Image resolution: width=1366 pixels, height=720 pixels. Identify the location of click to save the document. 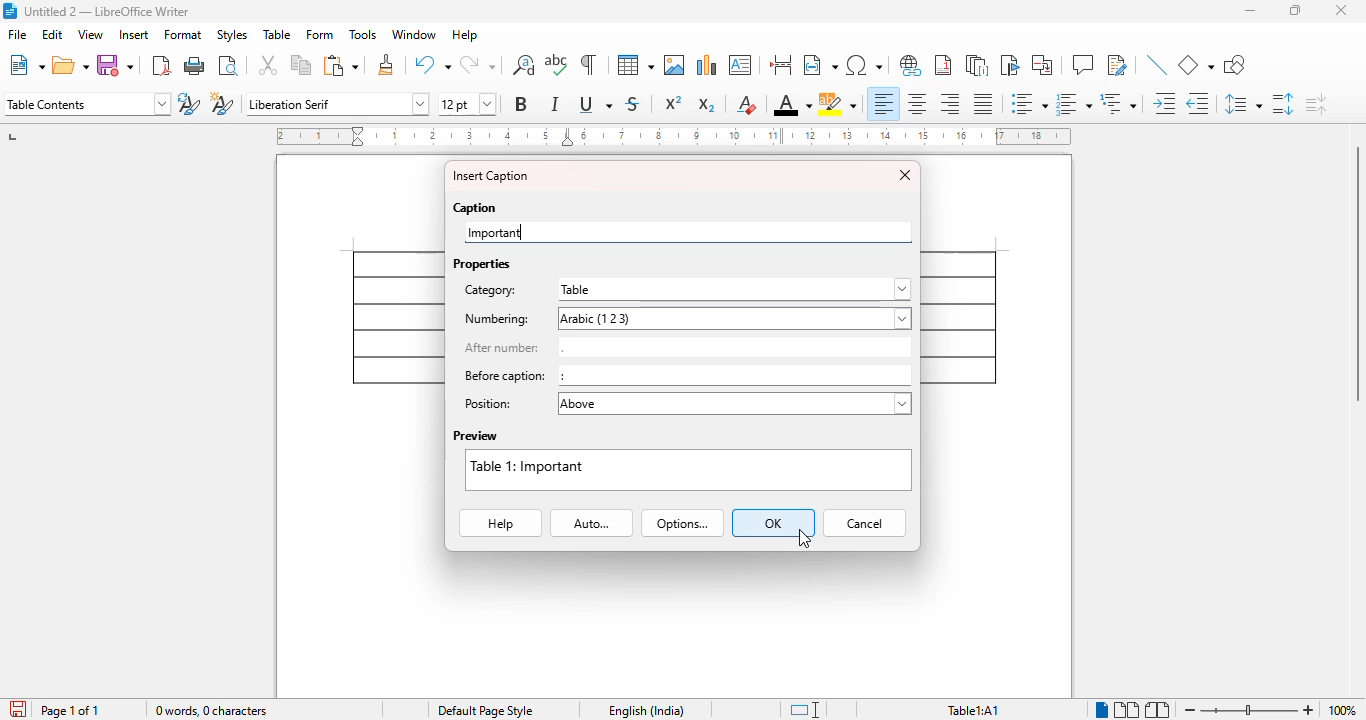
(19, 709).